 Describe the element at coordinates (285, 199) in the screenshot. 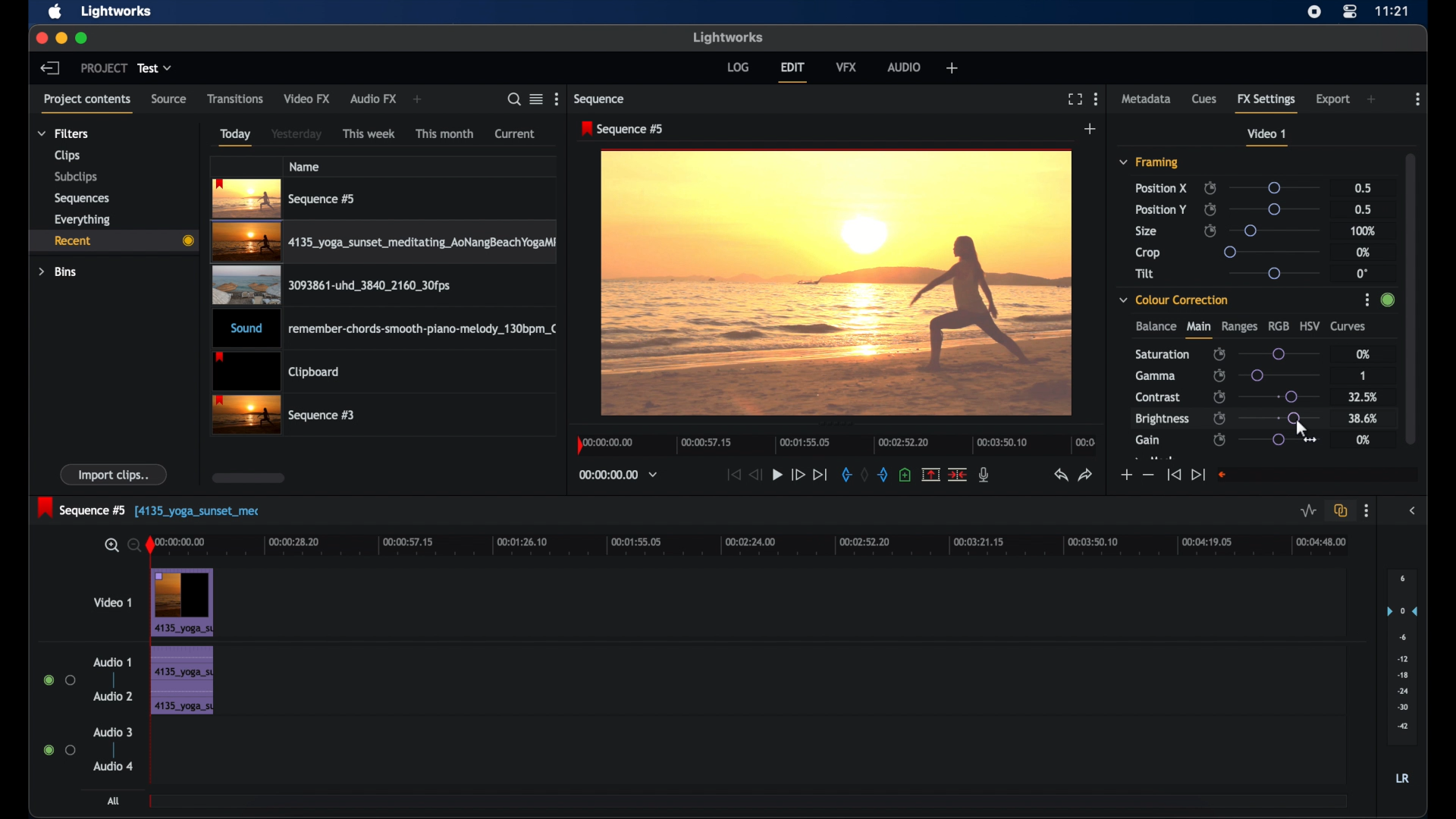

I see `videoclip` at that location.